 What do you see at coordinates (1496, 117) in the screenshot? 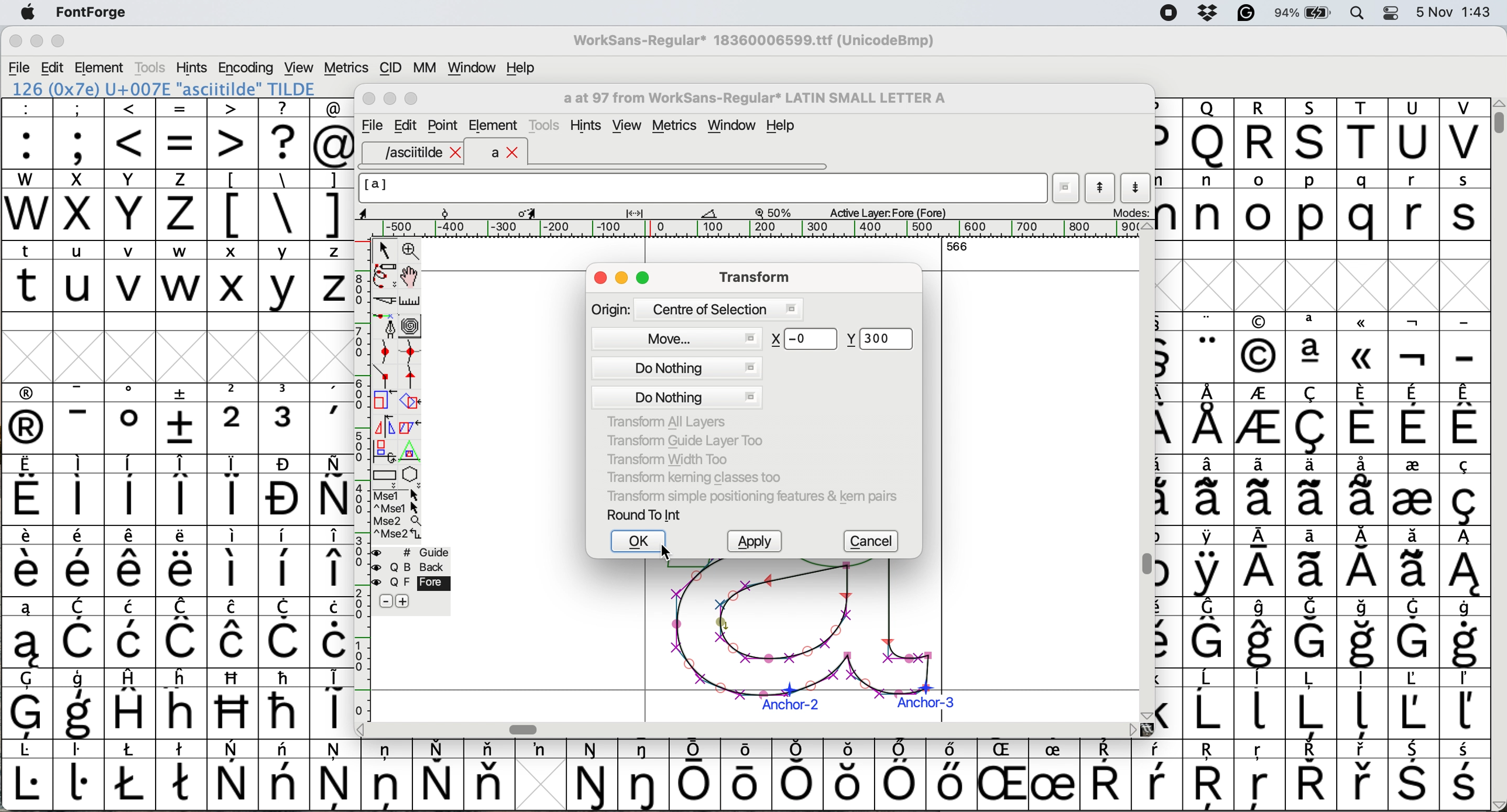
I see `vertical scroll bar` at bounding box center [1496, 117].